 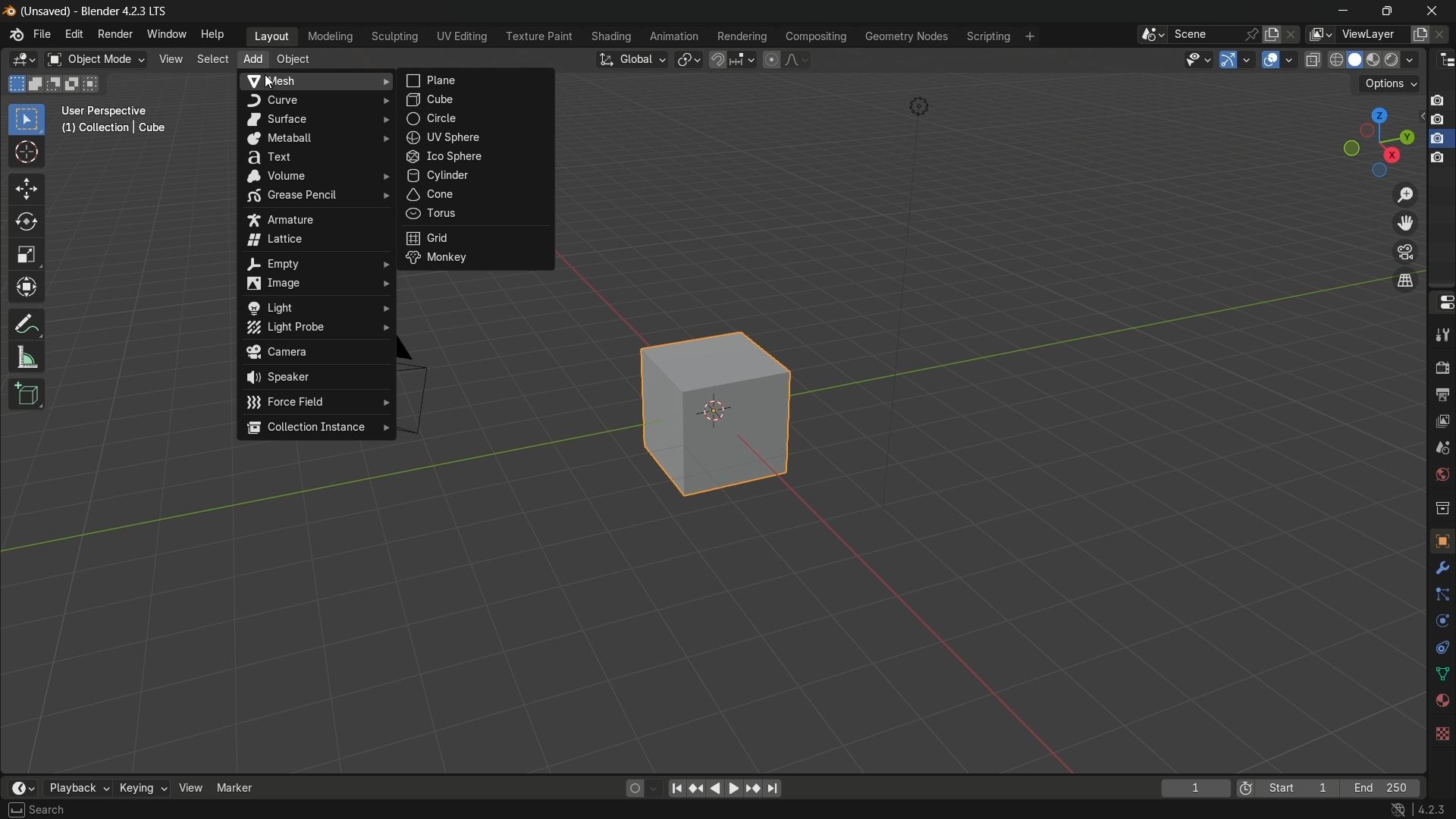 I want to click on mesh, so click(x=315, y=82).